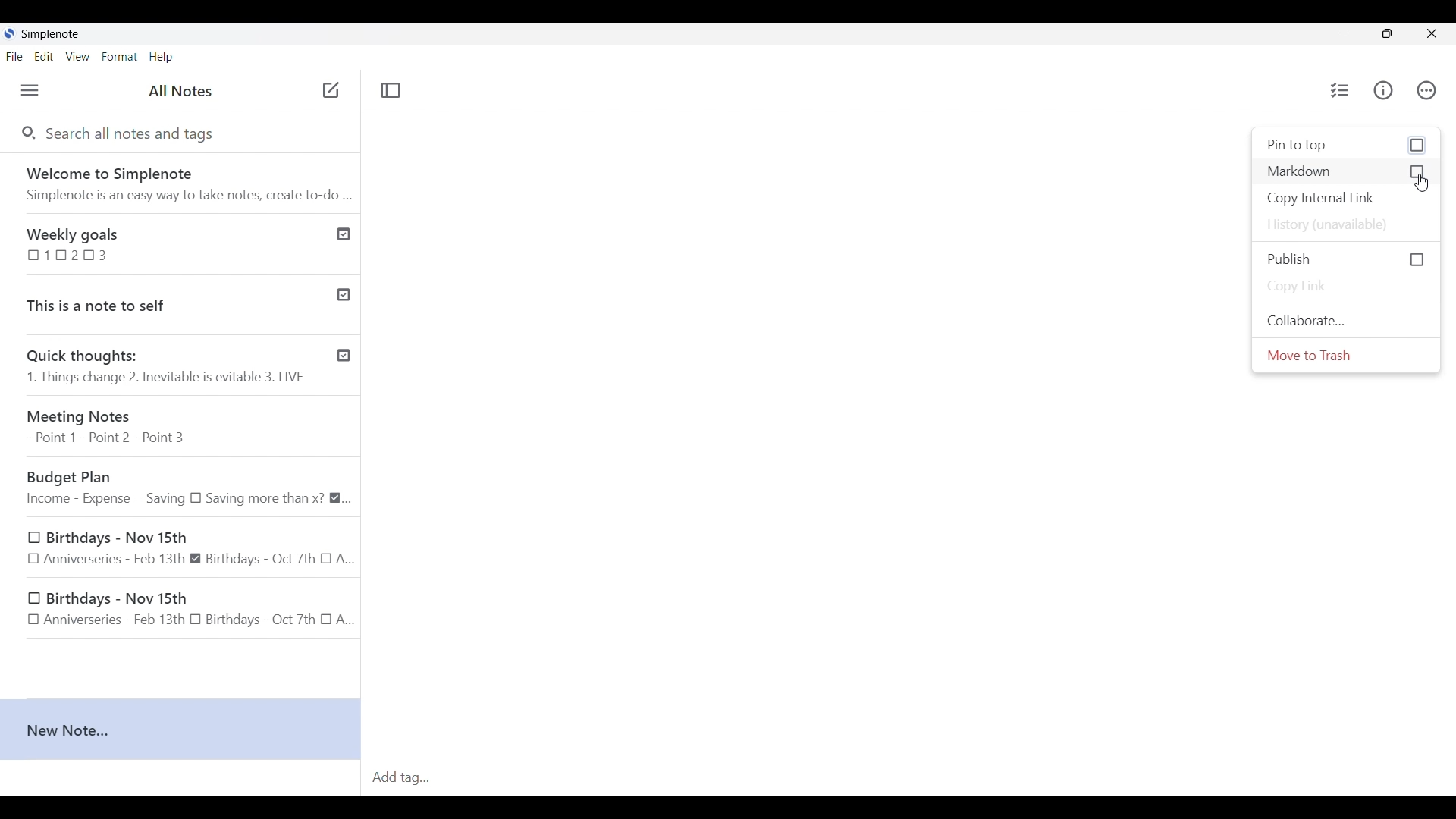 The width and height of the screenshot is (1456, 819). Describe the element at coordinates (1346, 320) in the screenshot. I see `Collaborate` at that location.